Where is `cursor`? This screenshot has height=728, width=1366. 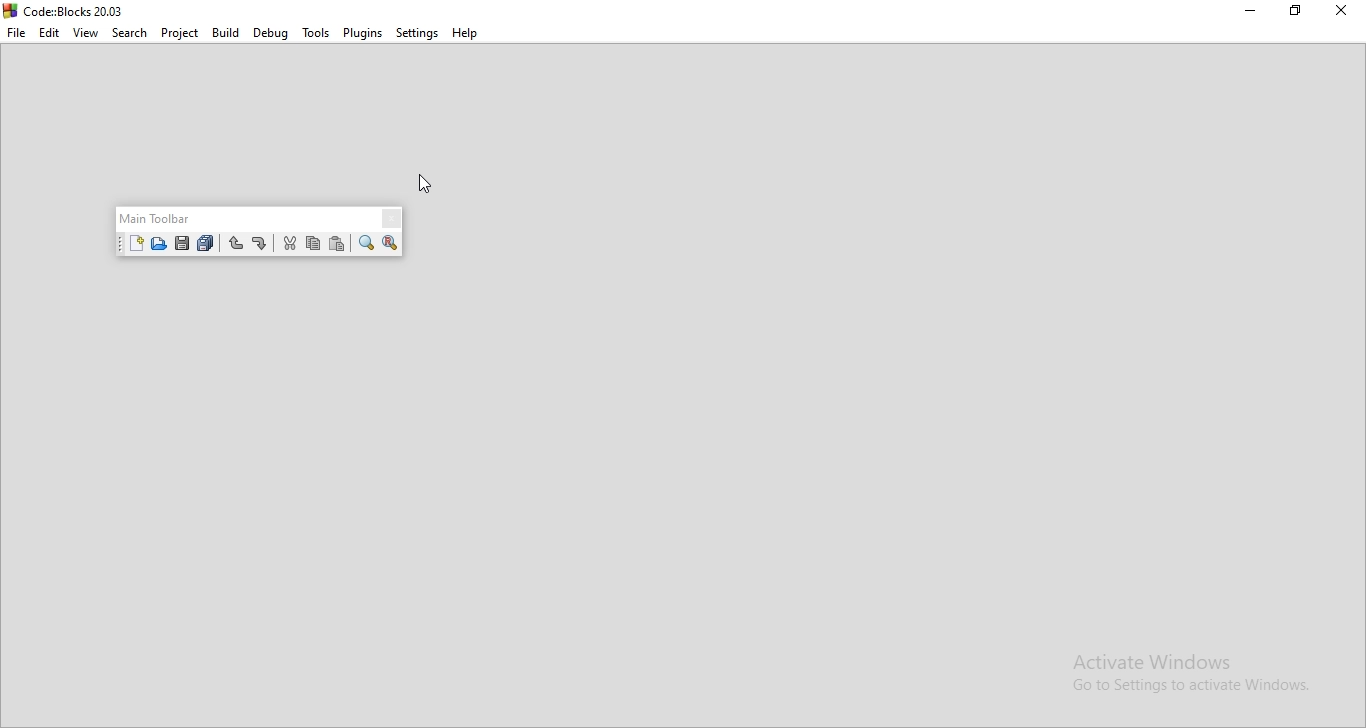
cursor is located at coordinates (425, 183).